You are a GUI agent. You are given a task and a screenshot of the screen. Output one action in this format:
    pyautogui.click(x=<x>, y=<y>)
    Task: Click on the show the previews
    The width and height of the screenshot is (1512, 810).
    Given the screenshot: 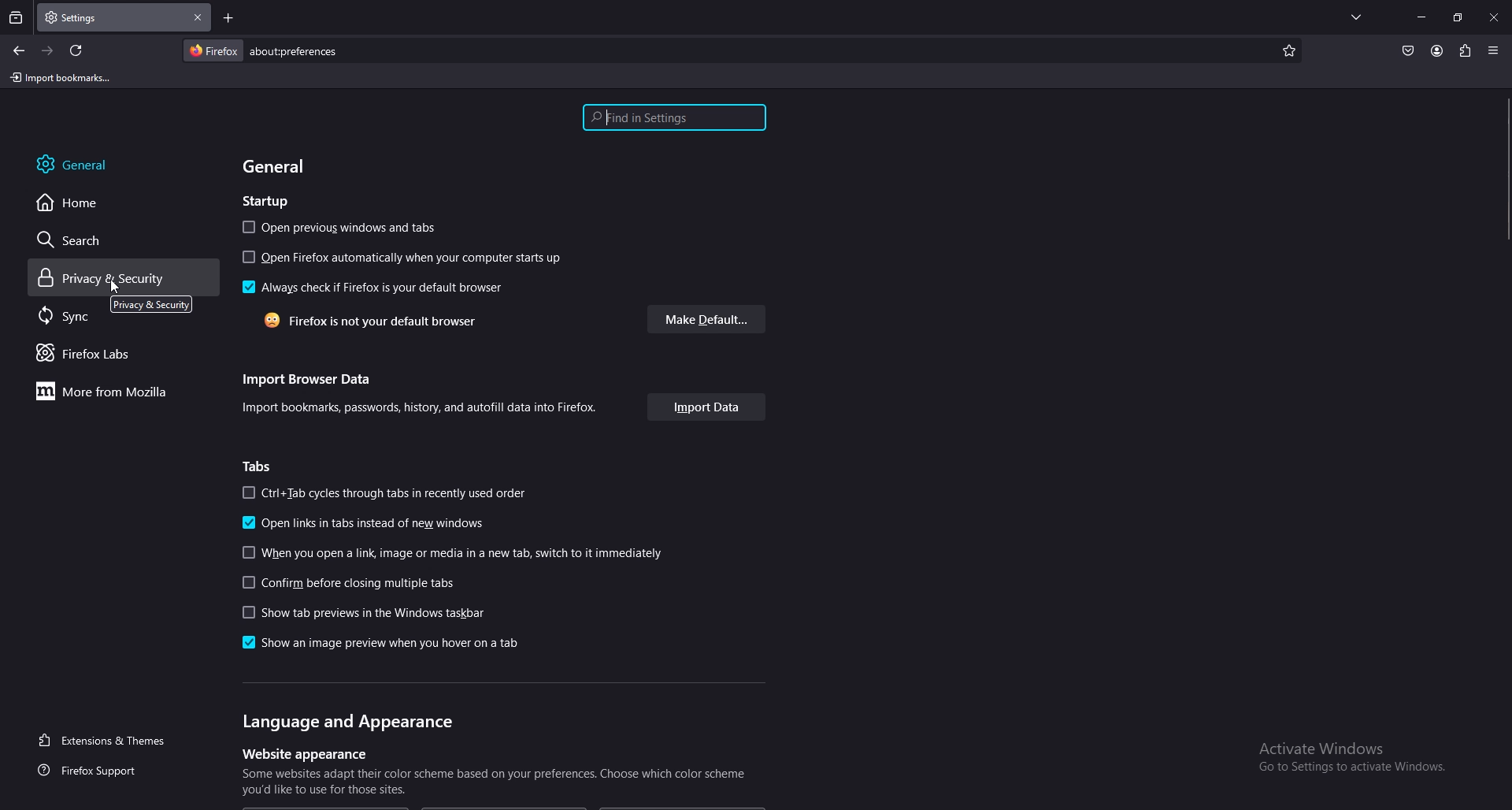 What is the action you would take?
    pyautogui.click(x=375, y=615)
    